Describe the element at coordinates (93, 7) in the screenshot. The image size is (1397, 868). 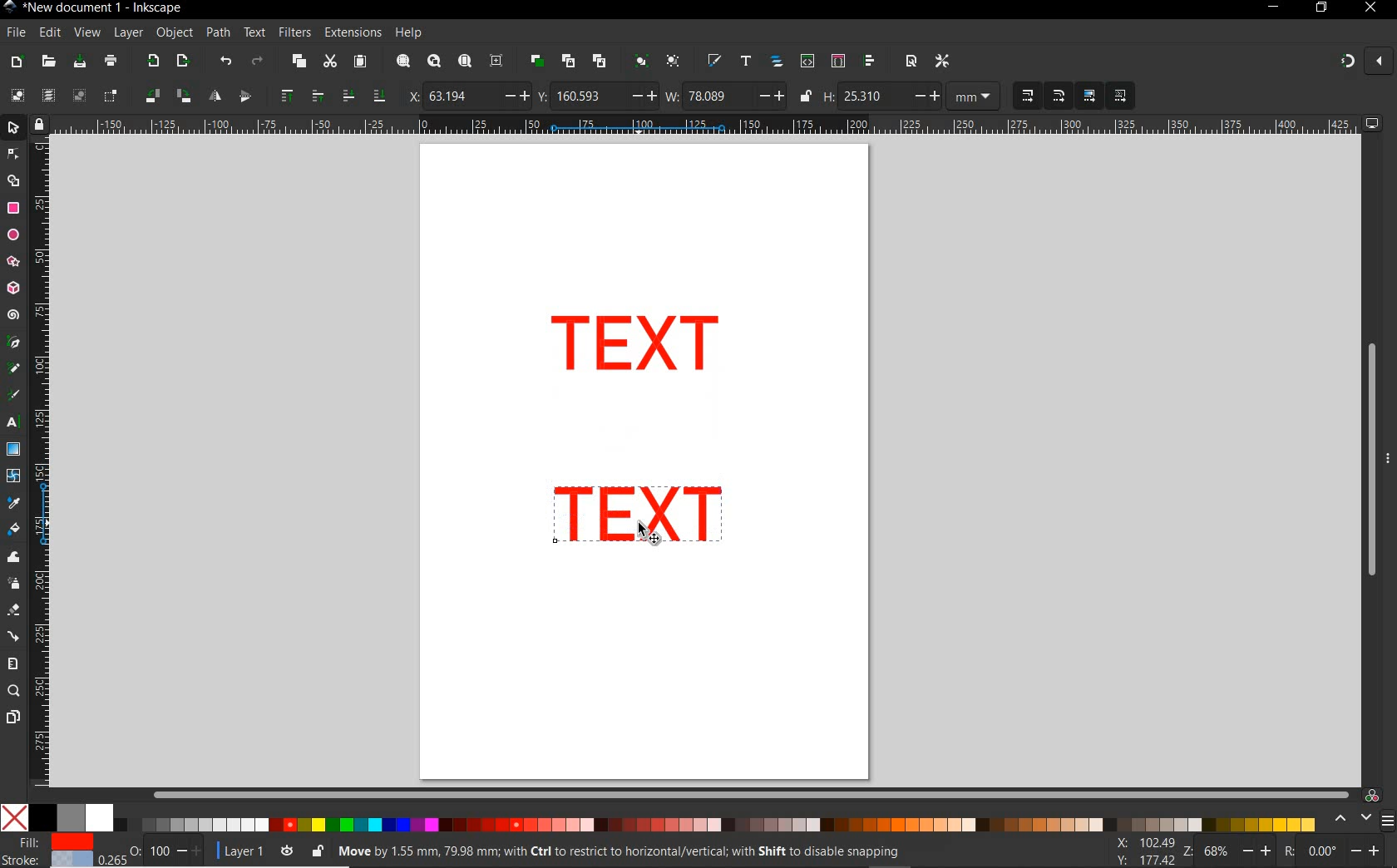
I see `file name` at that location.